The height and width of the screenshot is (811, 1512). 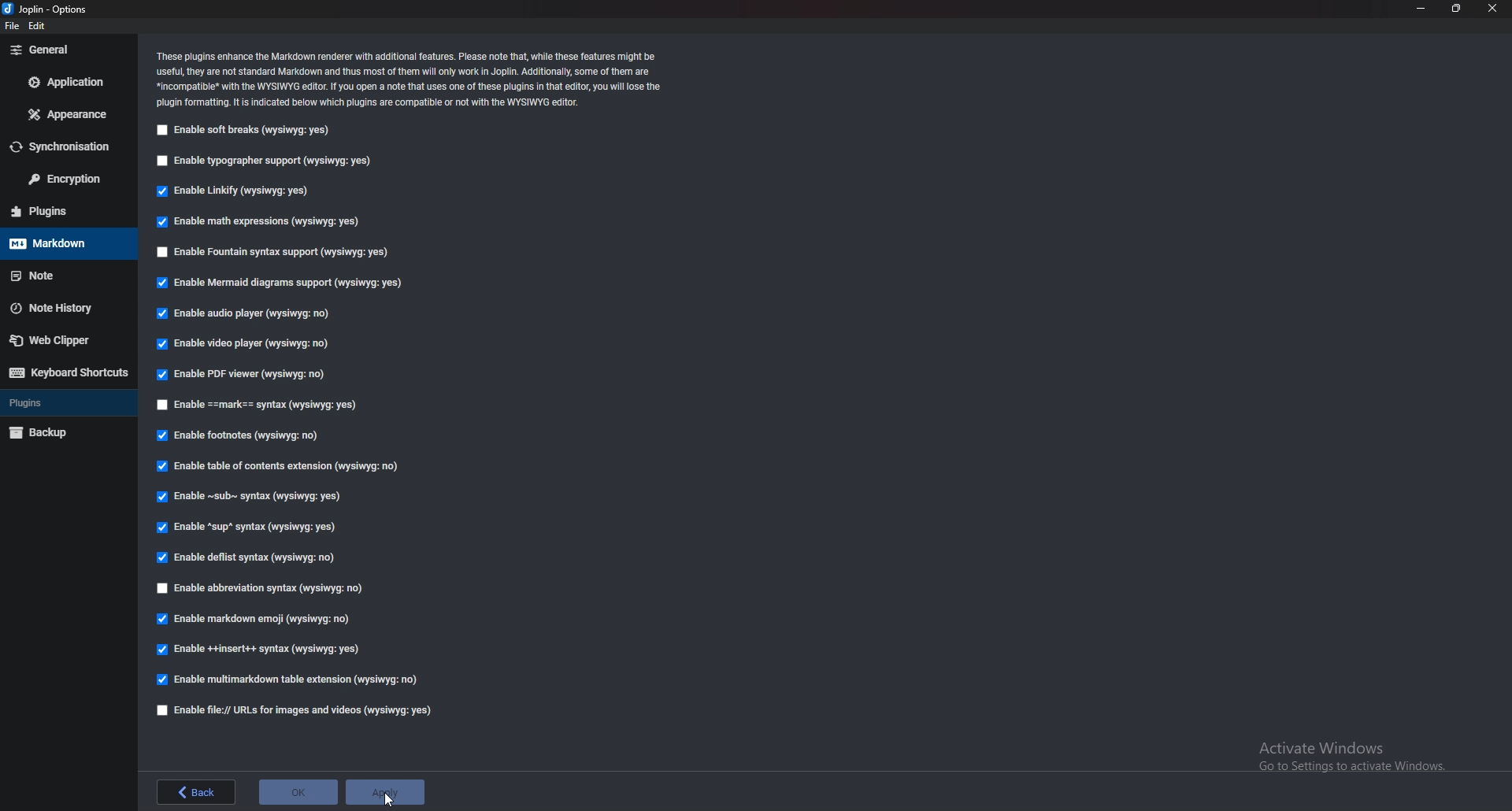 I want to click on Synchronization, so click(x=63, y=146).